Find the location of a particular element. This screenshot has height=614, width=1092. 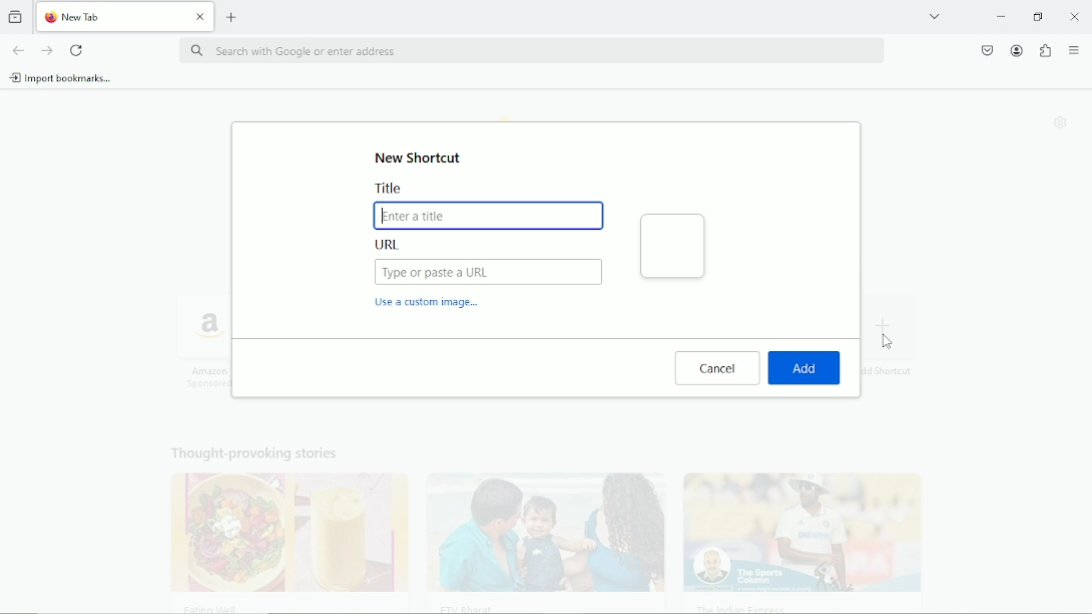

URL is located at coordinates (489, 264).